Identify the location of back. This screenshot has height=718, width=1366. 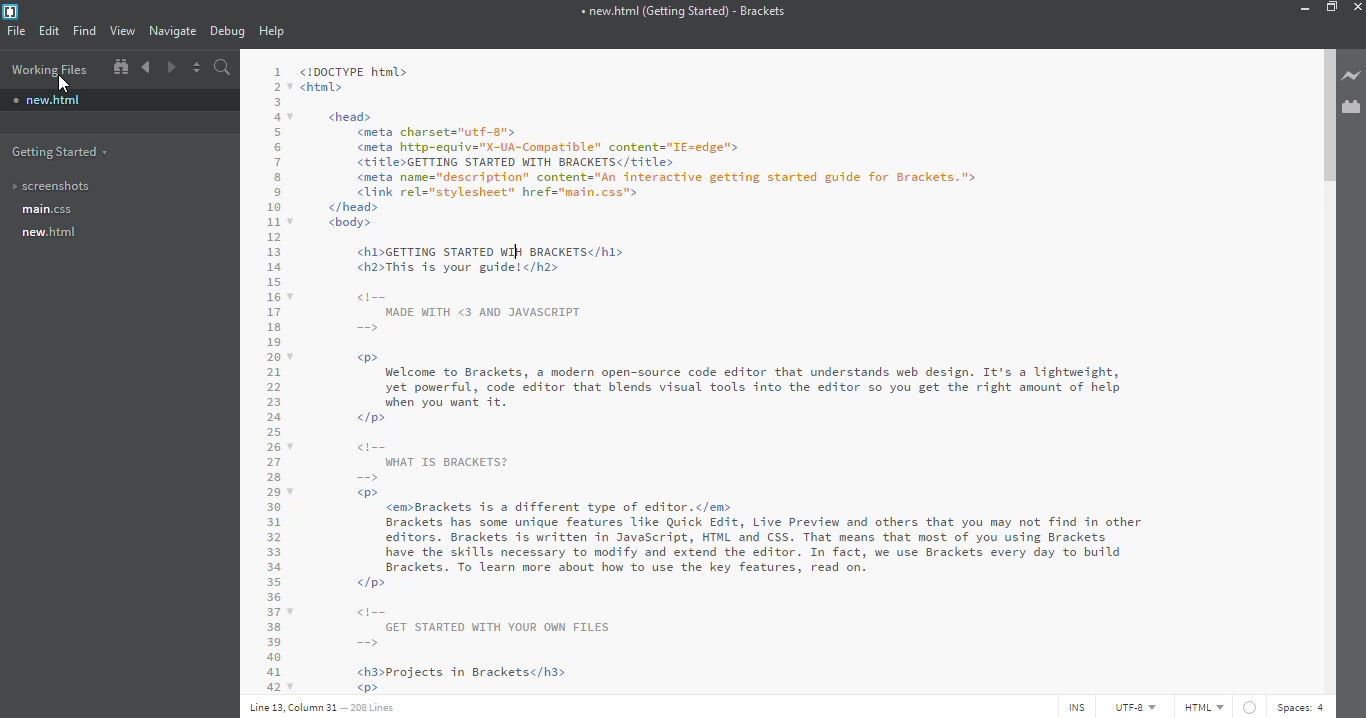
(146, 67).